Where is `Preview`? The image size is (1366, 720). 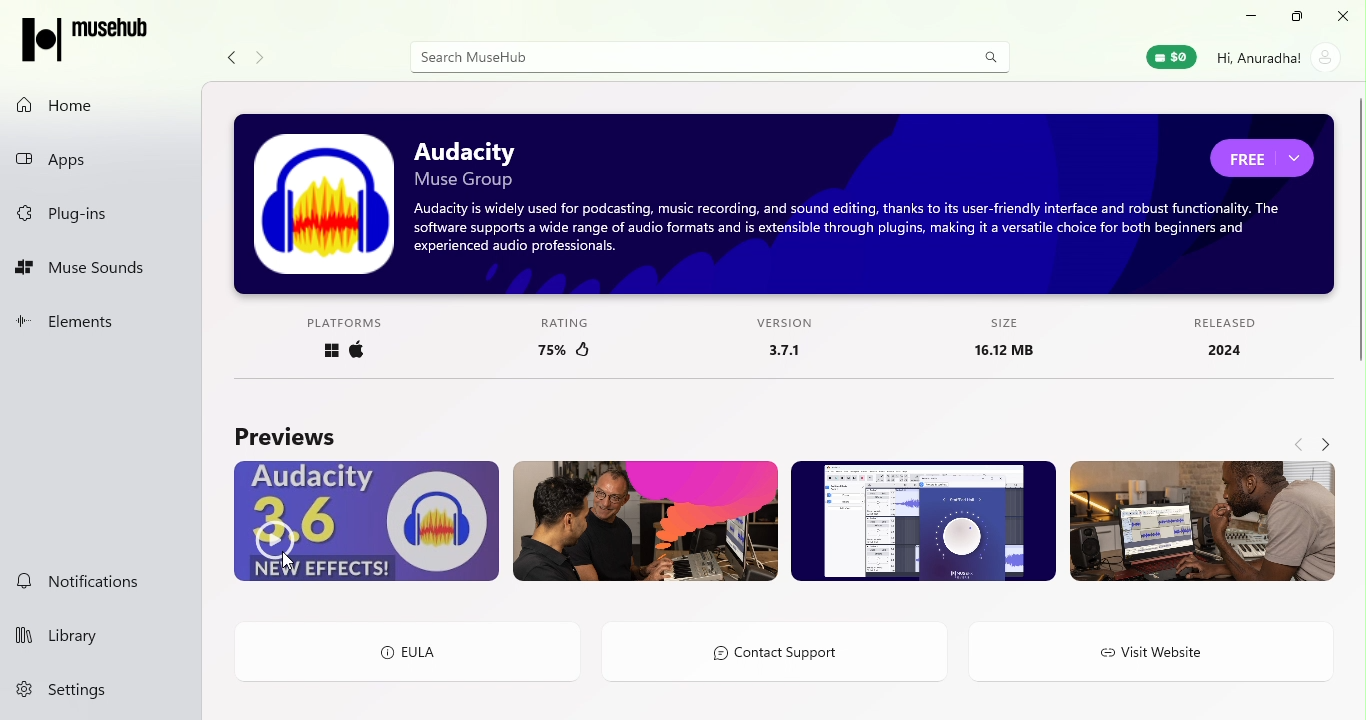
Preview is located at coordinates (922, 521).